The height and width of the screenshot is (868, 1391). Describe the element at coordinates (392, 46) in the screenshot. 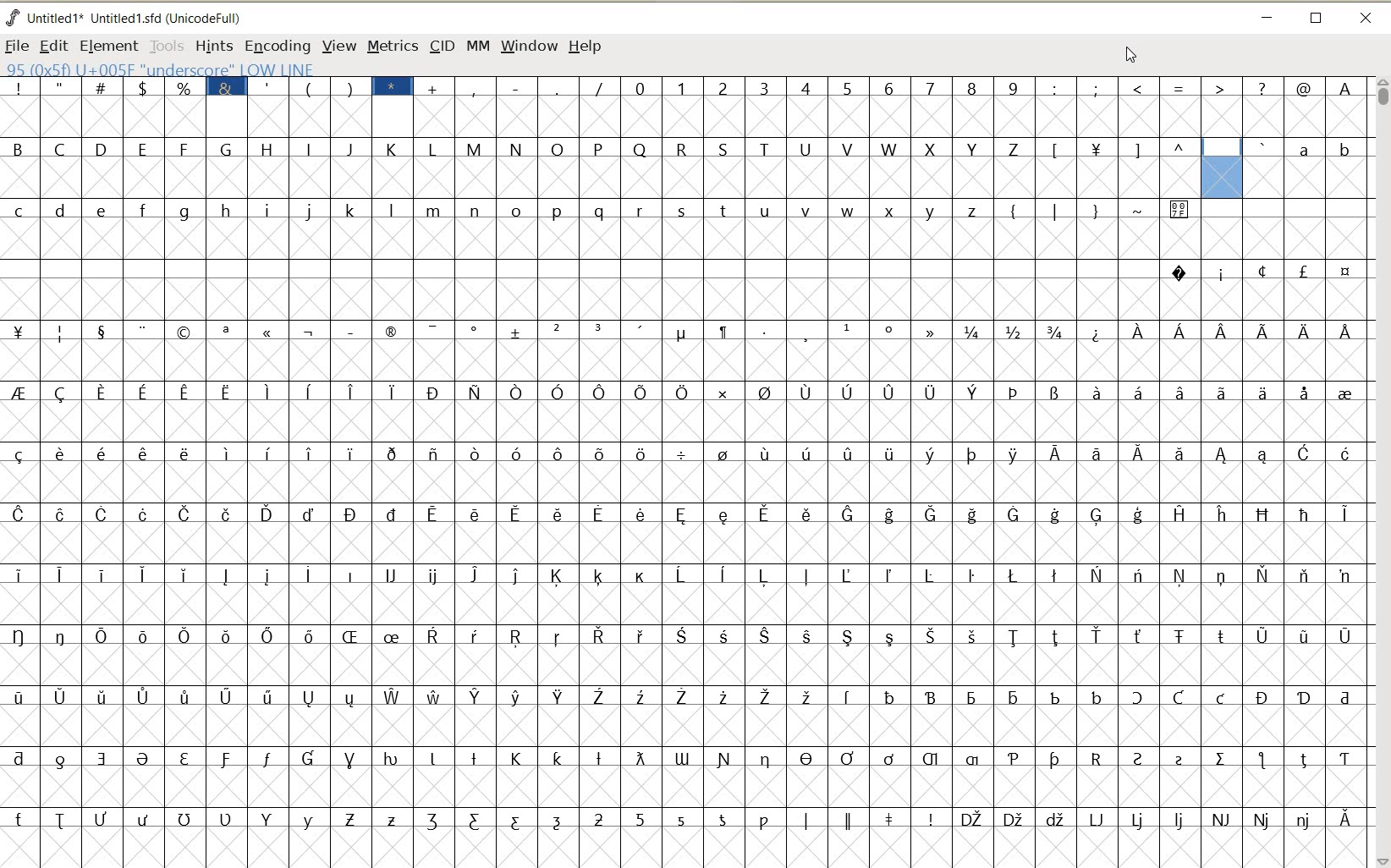

I see `METRICS` at that location.